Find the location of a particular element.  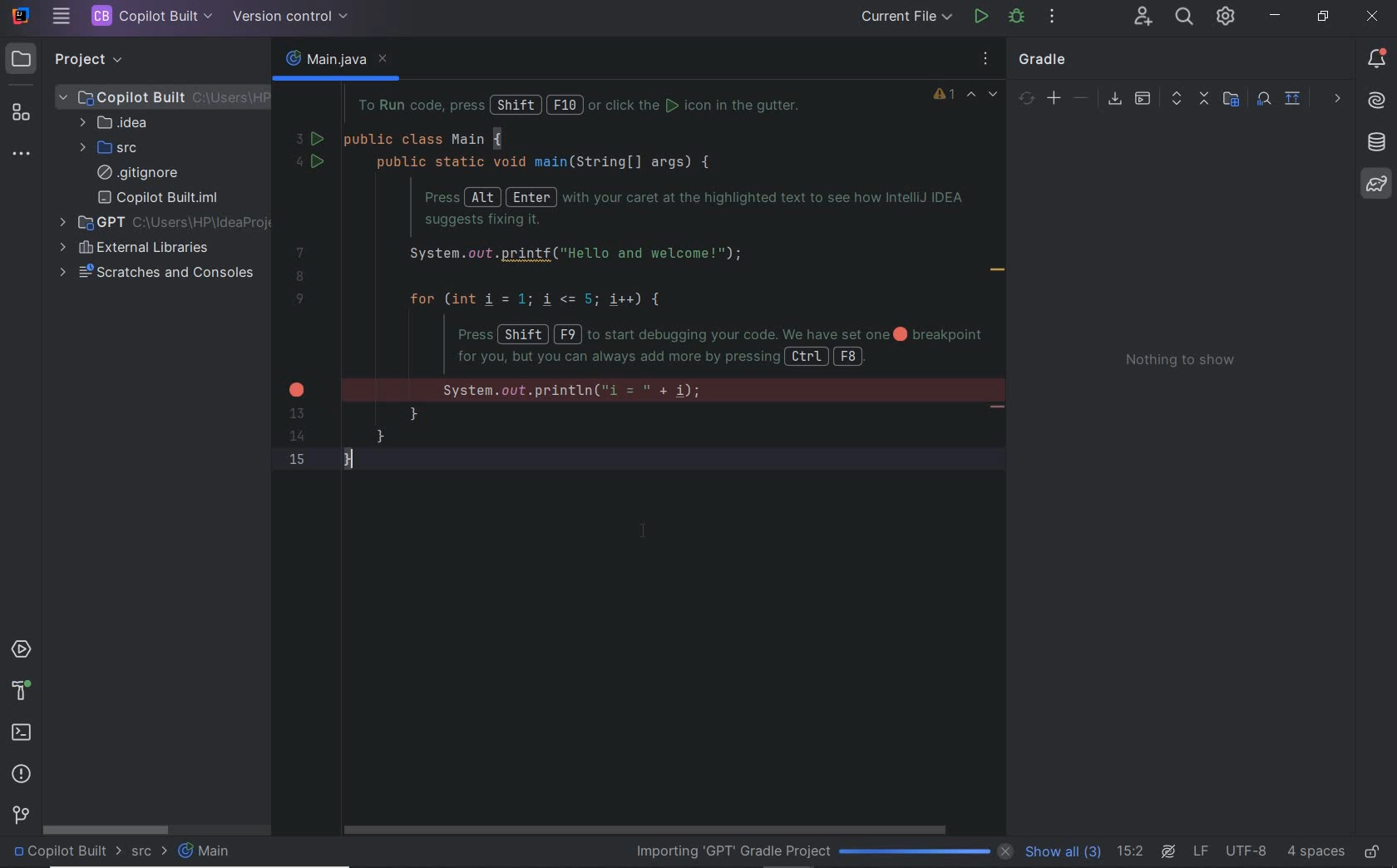

unlink gradle project is located at coordinates (1083, 98).